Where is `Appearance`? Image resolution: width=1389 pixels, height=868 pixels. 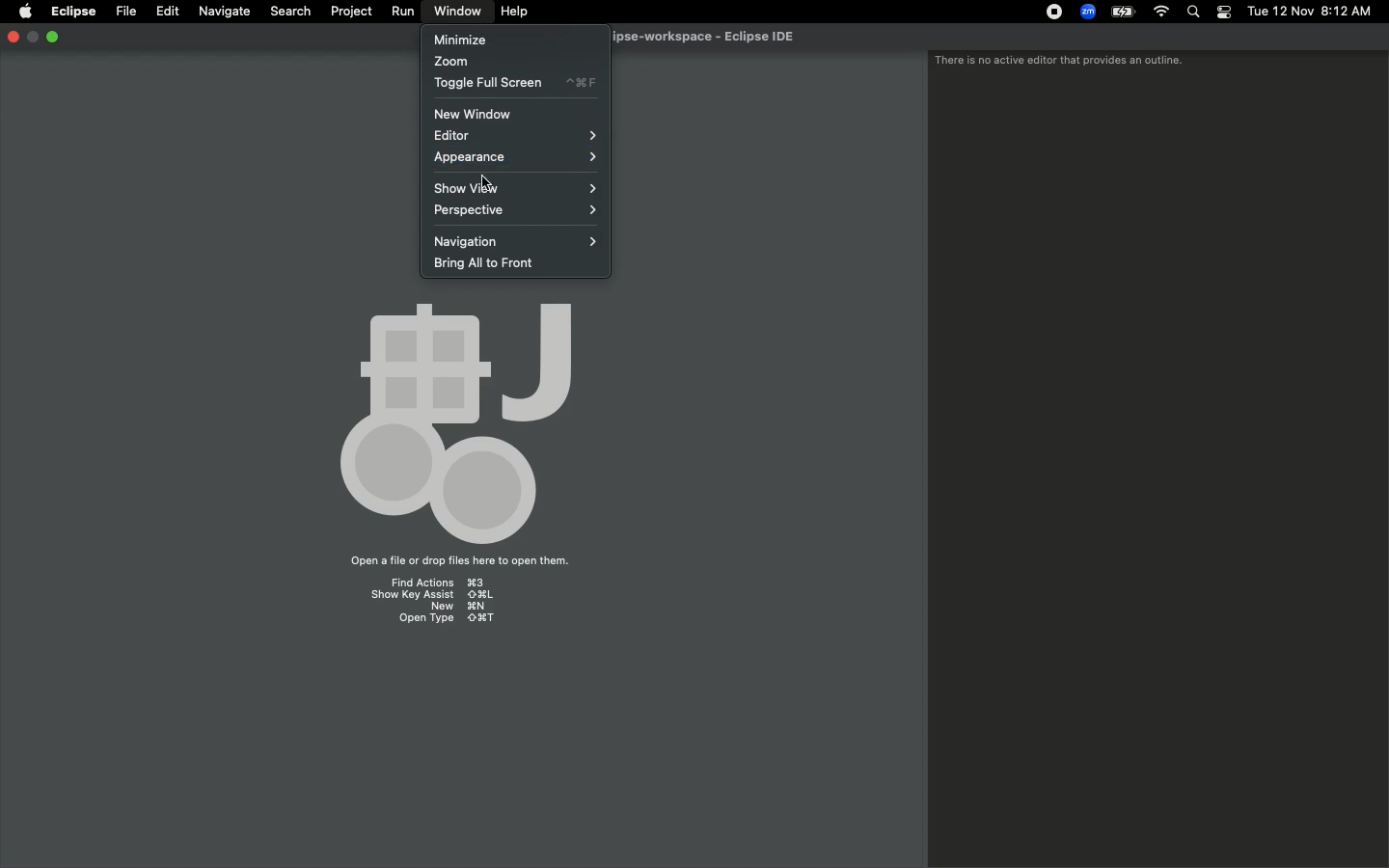 Appearance is located at coordinates (517, 160).